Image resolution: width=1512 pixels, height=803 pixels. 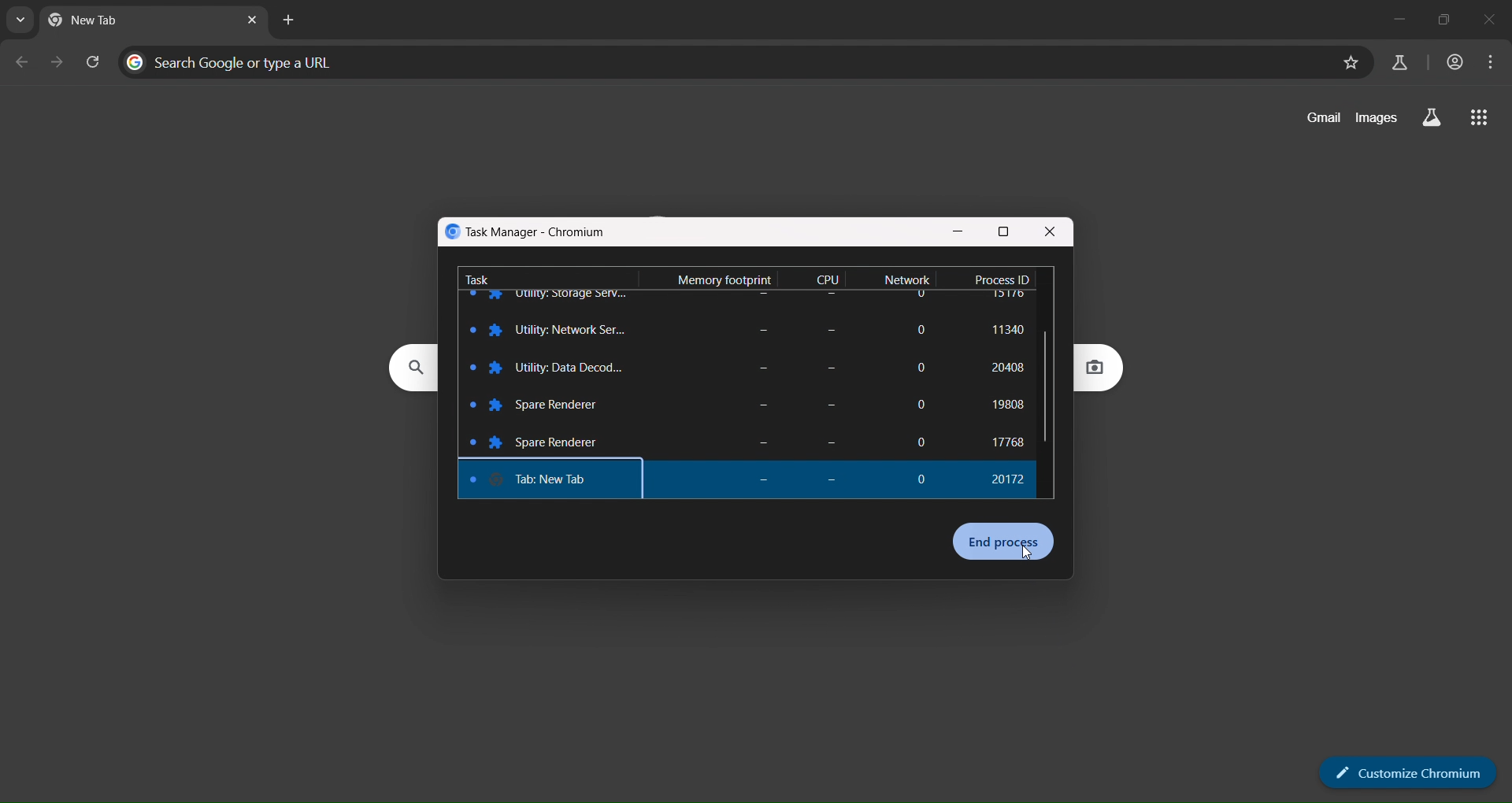 What do you see at coordinates (1010, 481) in the screenshot?
I see `17768` at bounding box center [1010, 481].